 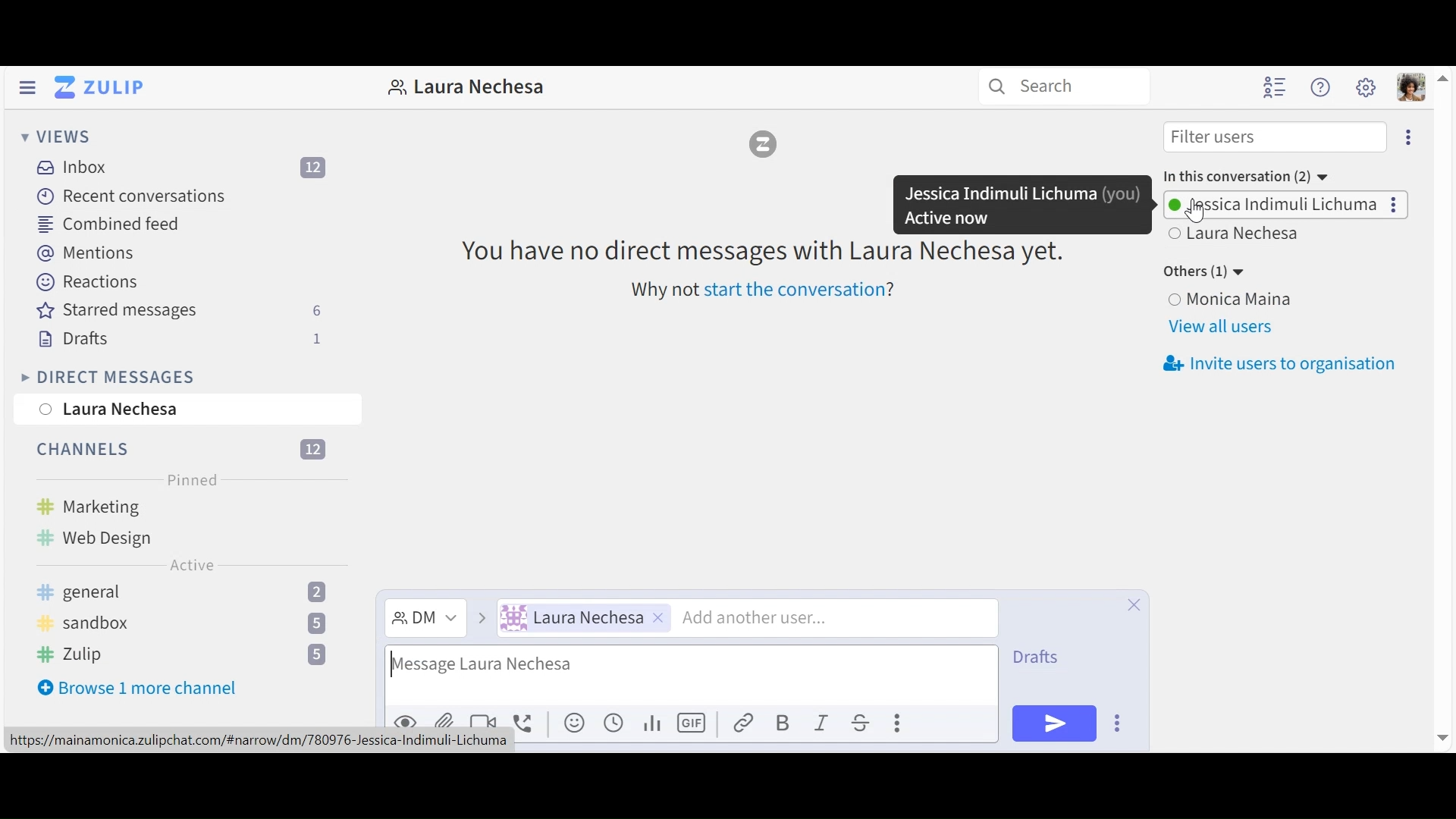 I want to click on Add Voice call, so click(x=527, y=722).